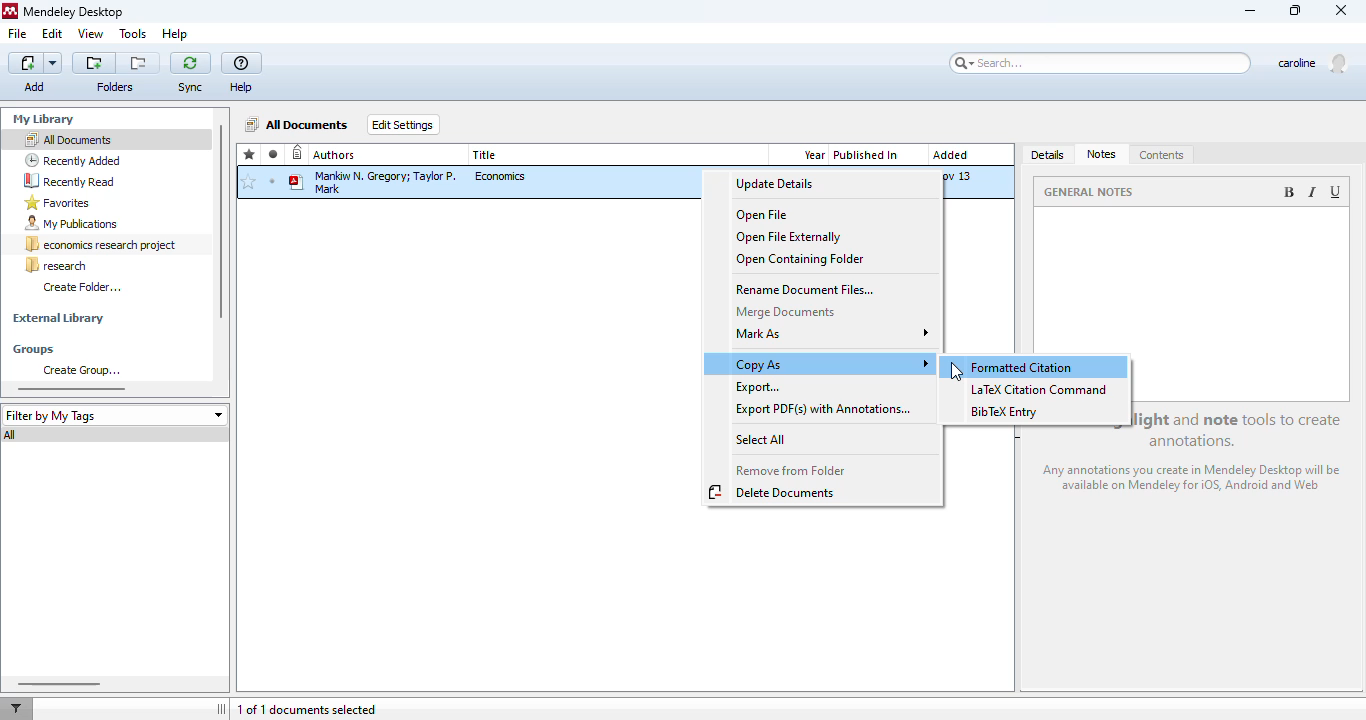 The width and height of the screenshot is (1366, 720). What do you see at coordinates (374, 181) in the screenshot?
I see `Mankiw N. Gregor; Taylor P. Mark` at bounding box center [374, 181].